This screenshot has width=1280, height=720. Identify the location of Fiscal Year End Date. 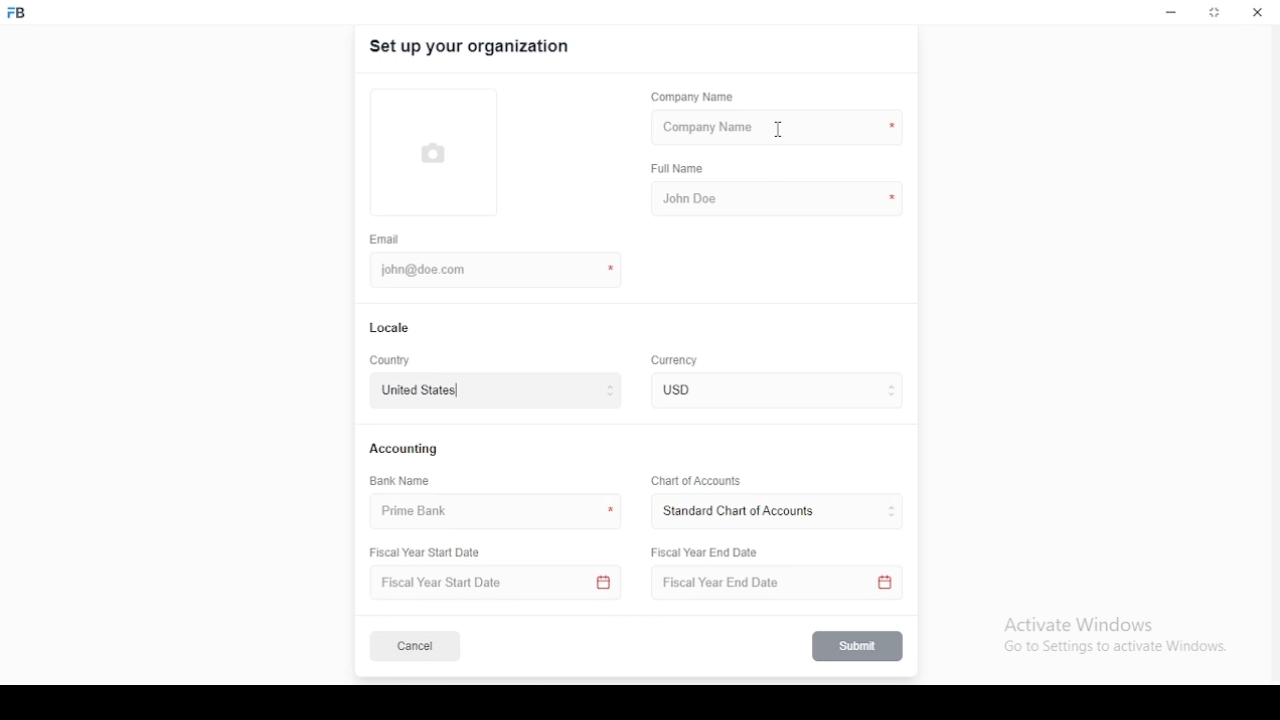
(771, 583).